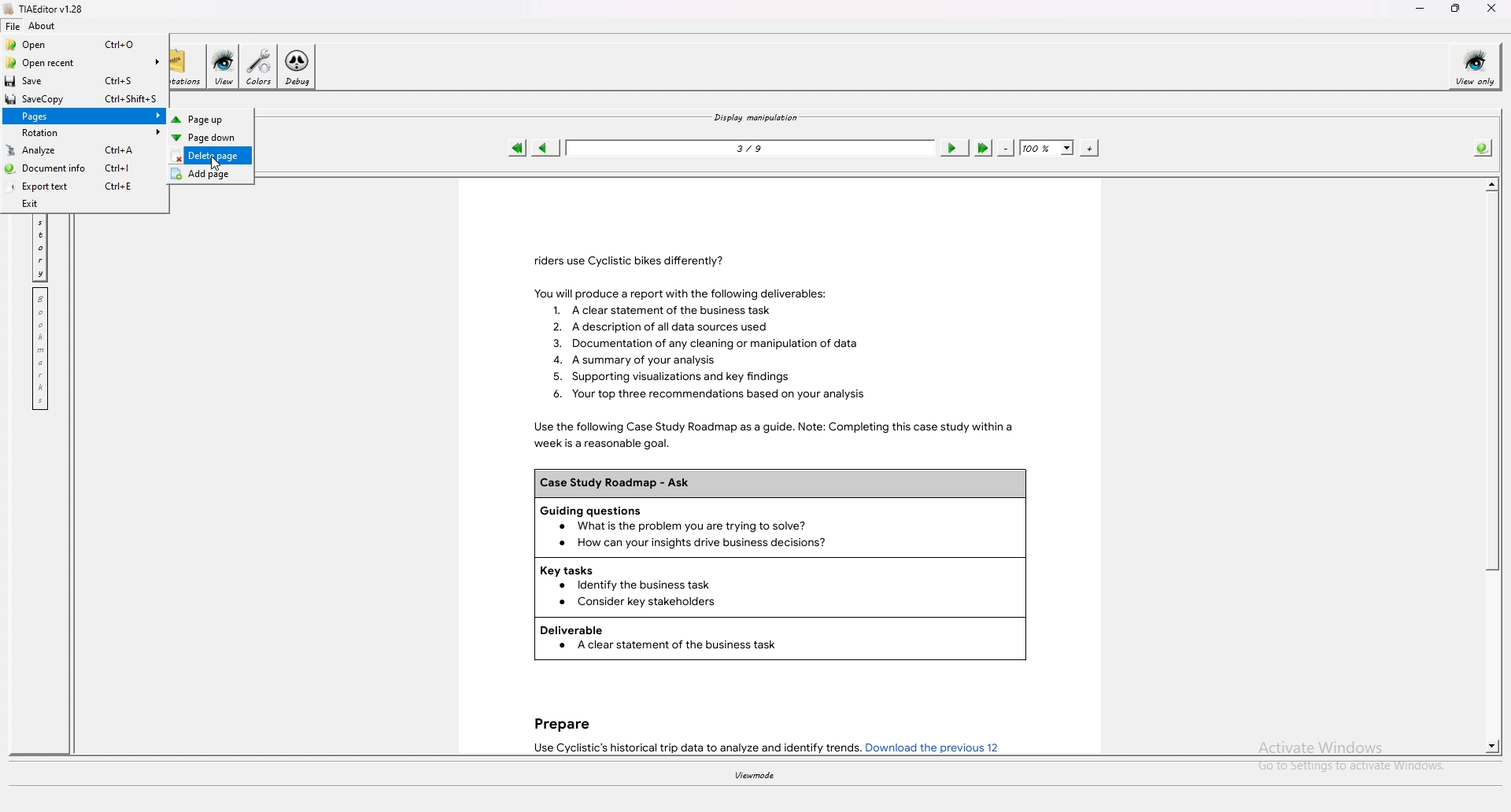 Image resolution: width=1511 pixels, height=812 pixels. Describe the element at coordinates (518, 147) in the screenshot. I see `first page` at that location.